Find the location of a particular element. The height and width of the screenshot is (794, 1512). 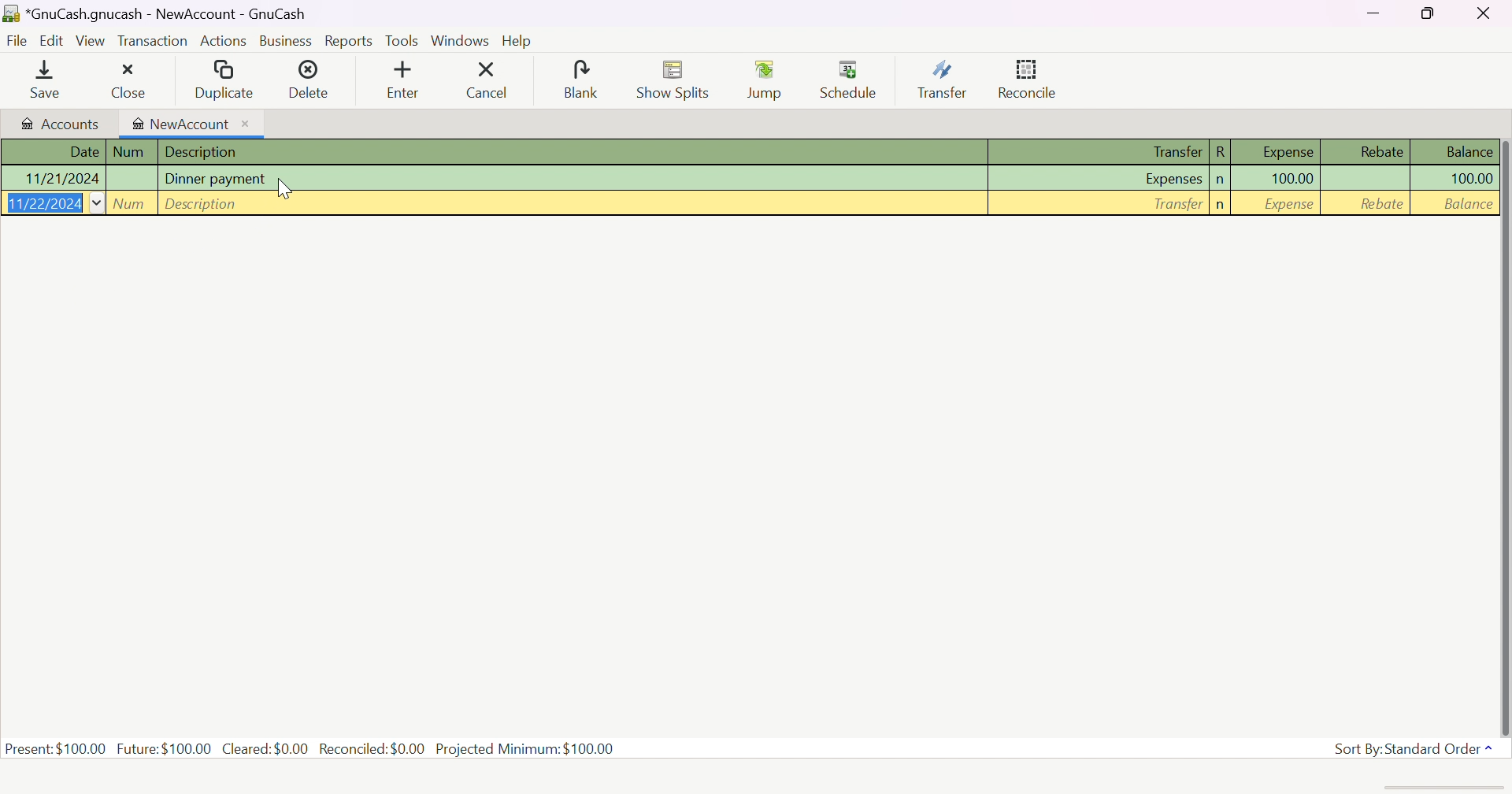

Rebate is located at coordinates (1380, 151).